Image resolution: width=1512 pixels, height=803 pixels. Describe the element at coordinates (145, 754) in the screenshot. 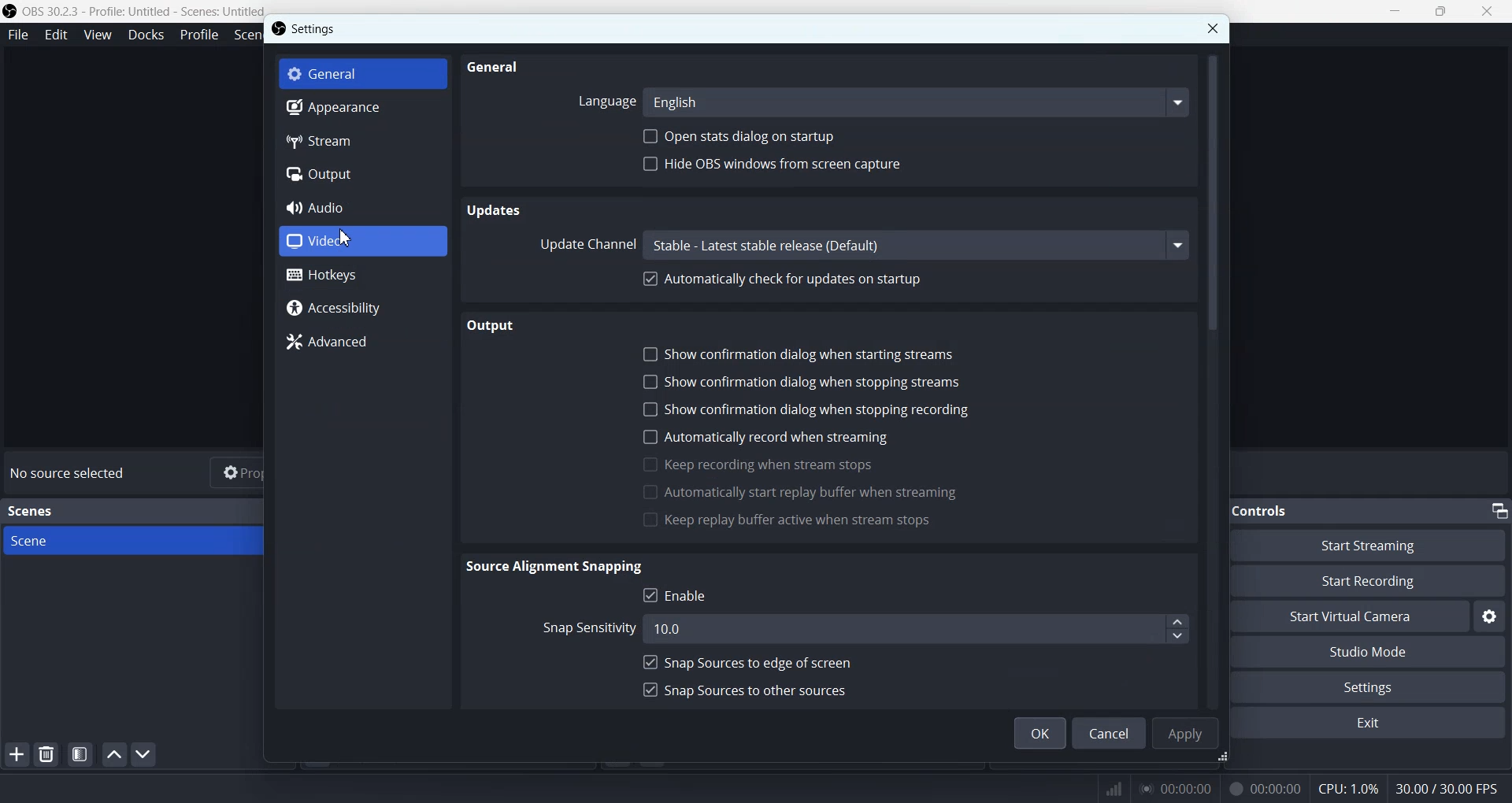

I see `Move scene down` at that location.